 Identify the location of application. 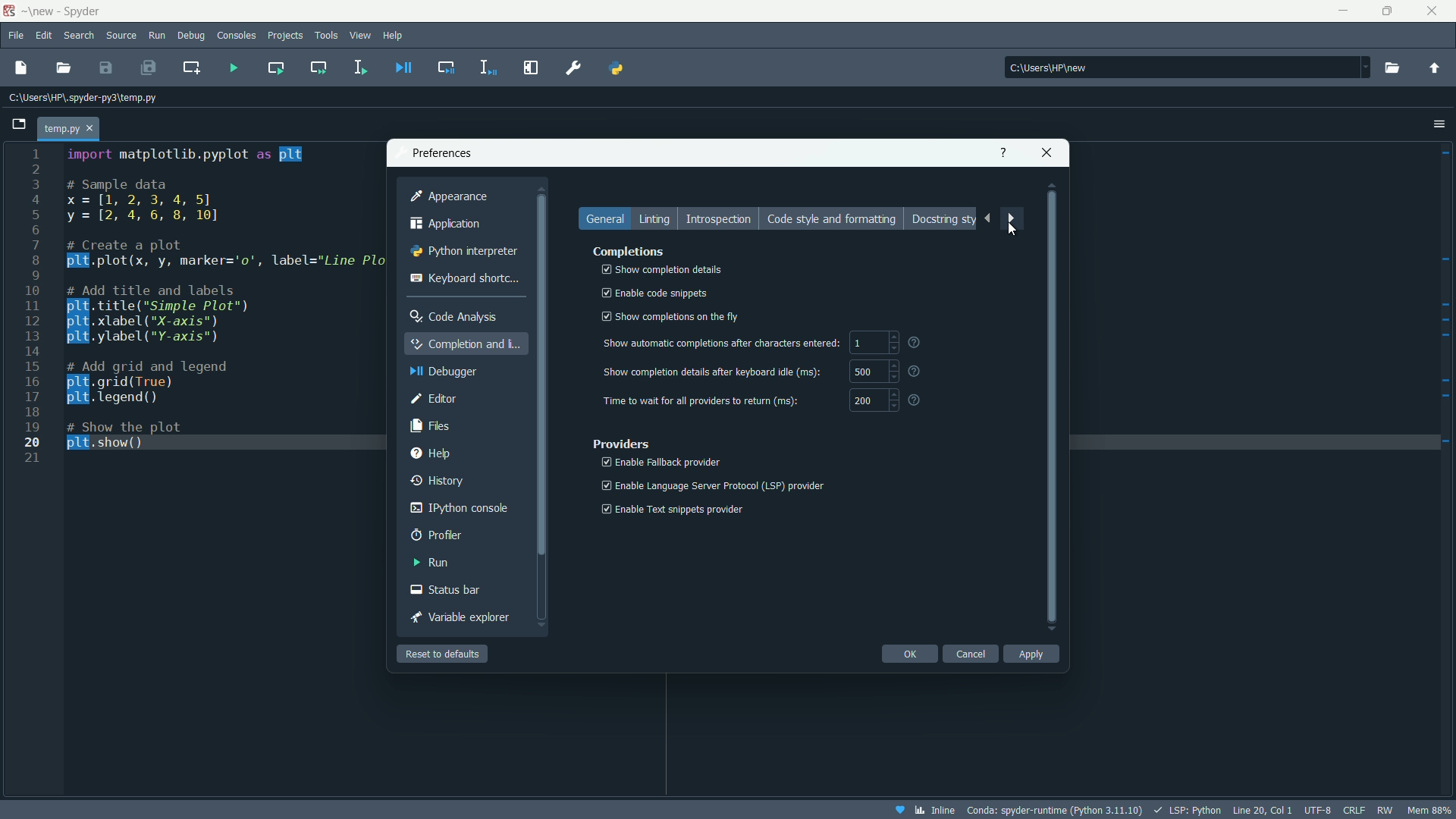
(447, 224).